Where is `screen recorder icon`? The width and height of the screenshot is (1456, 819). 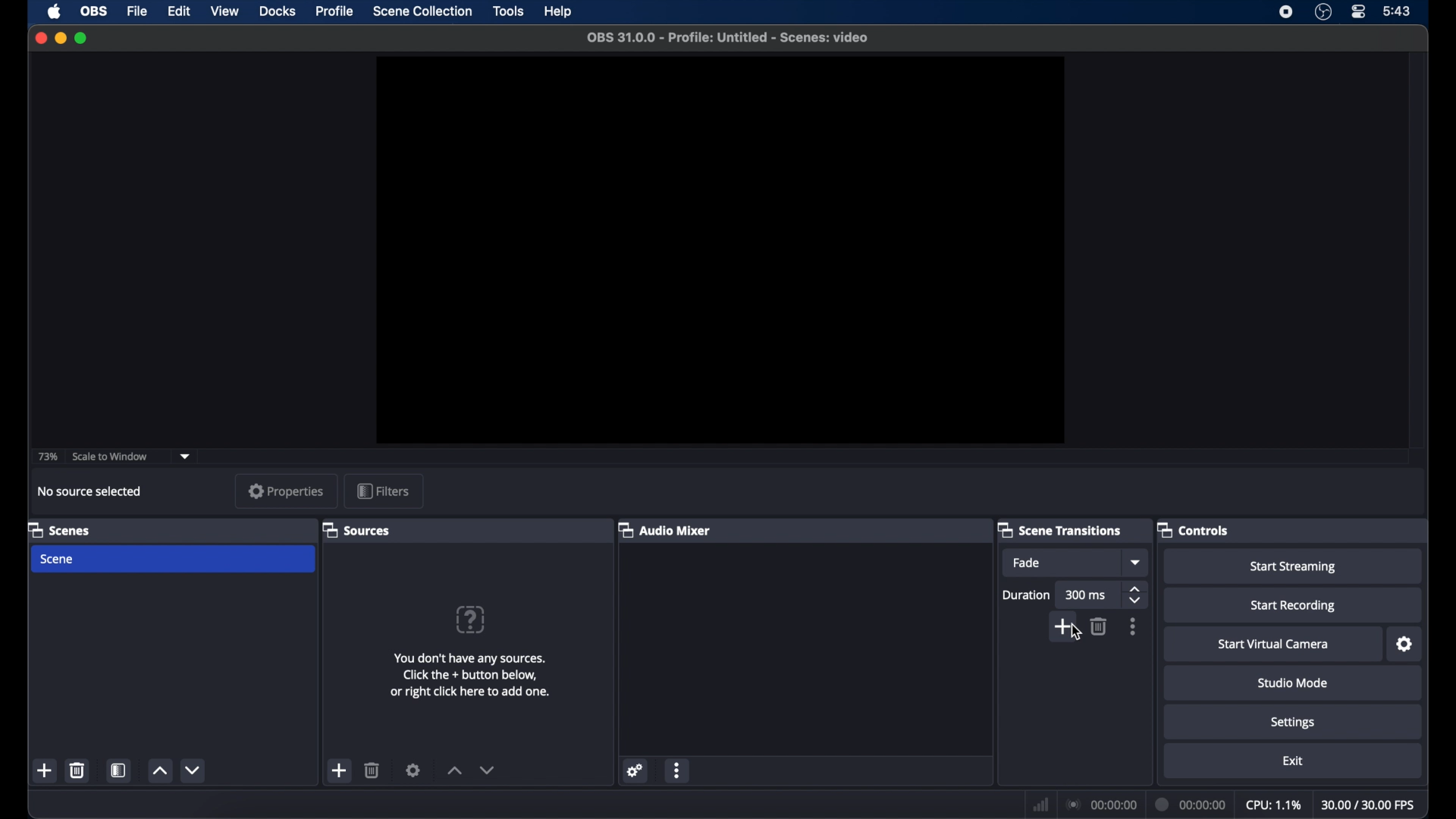 screen recorder icon is located at coordinates (1285, 12).